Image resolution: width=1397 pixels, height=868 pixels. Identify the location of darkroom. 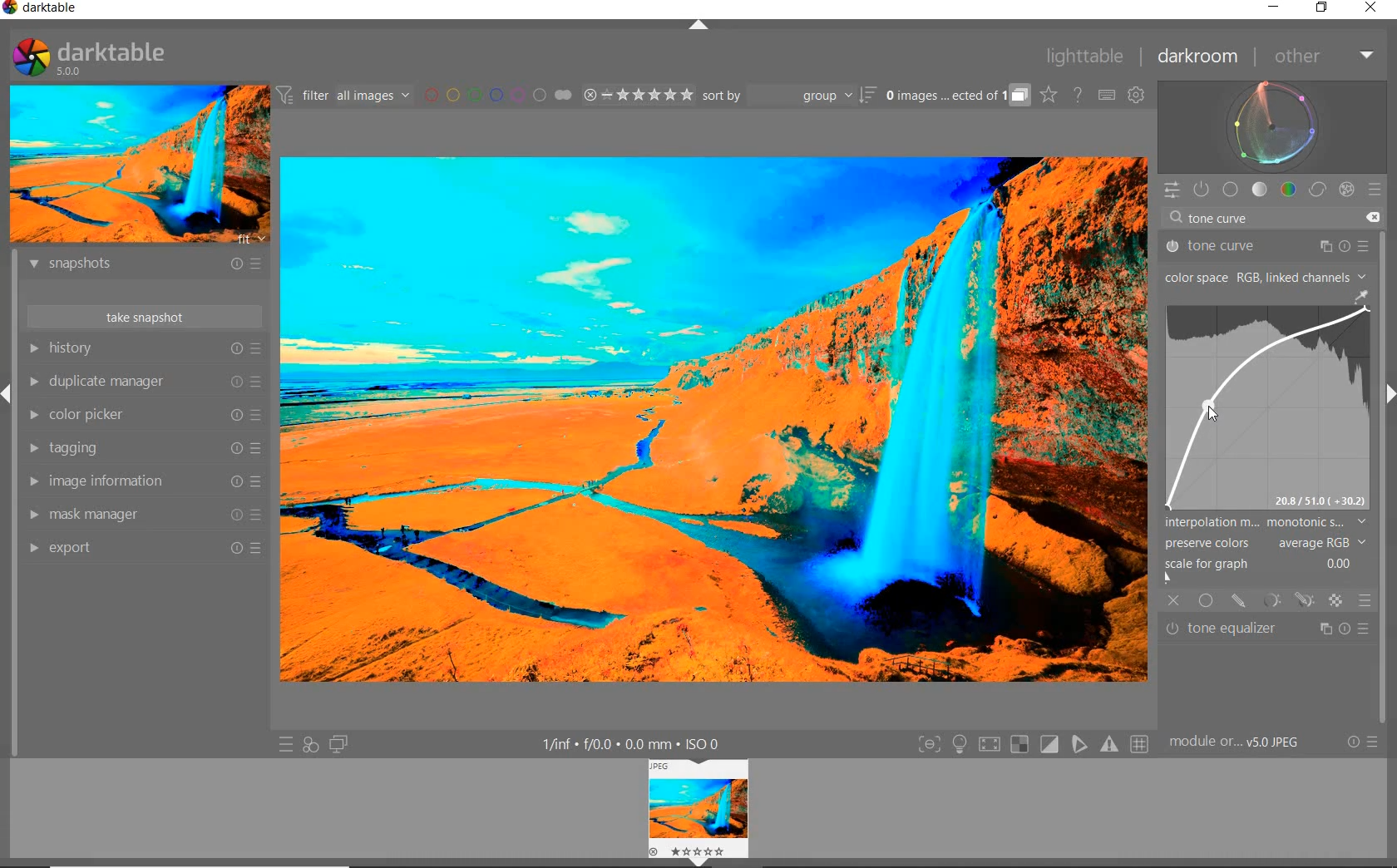
(1198, 57).